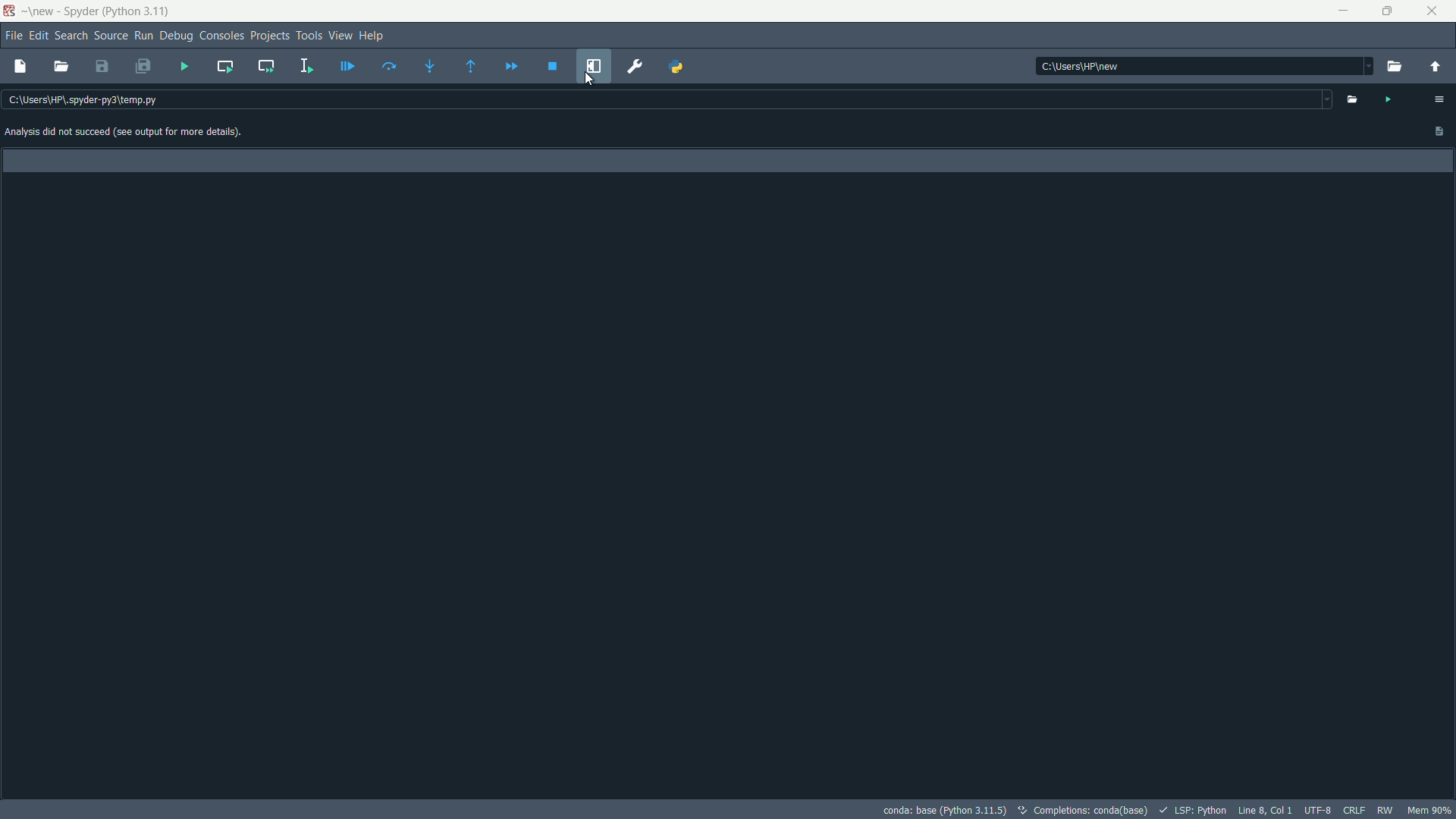  Describe the element at coordinates (1386, 810) in the screenshot. I see `rw` at that location.